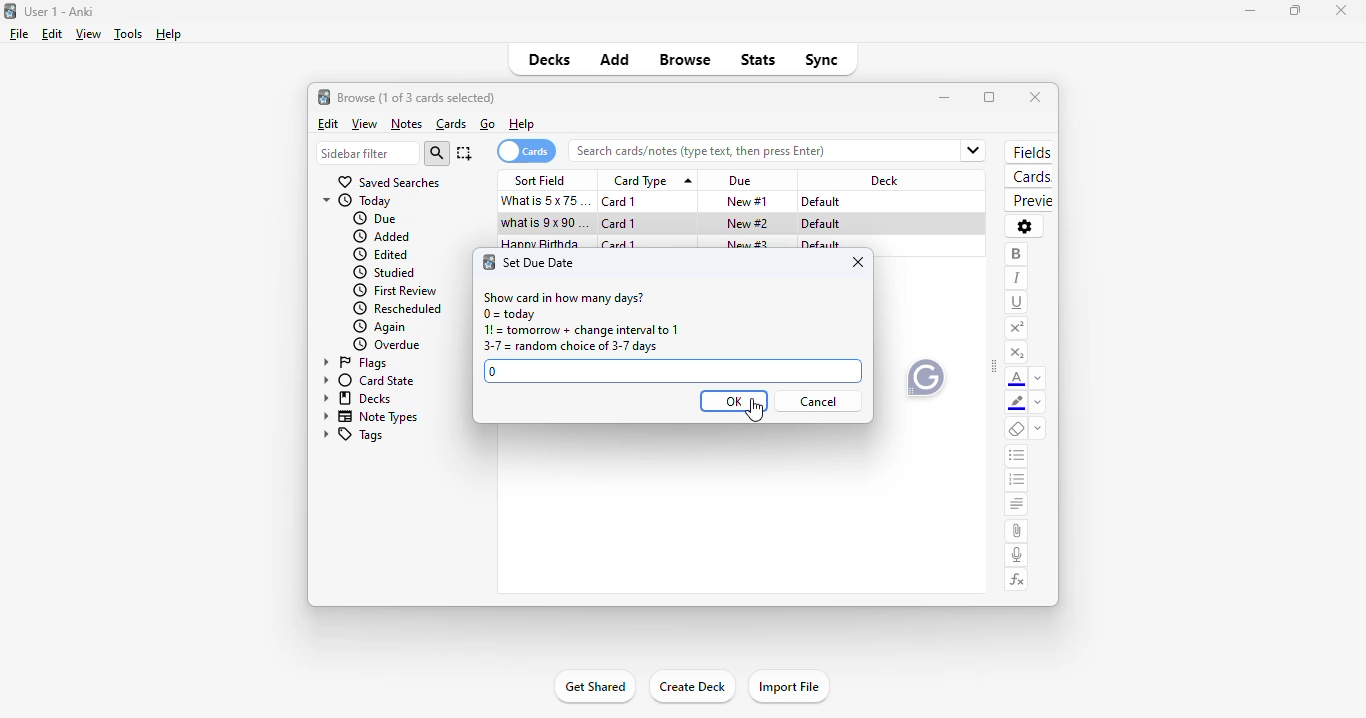  What do you see at coordinates (1019, 378) in the screenshot?
I see `text color` at bounding box center [1019, 378].